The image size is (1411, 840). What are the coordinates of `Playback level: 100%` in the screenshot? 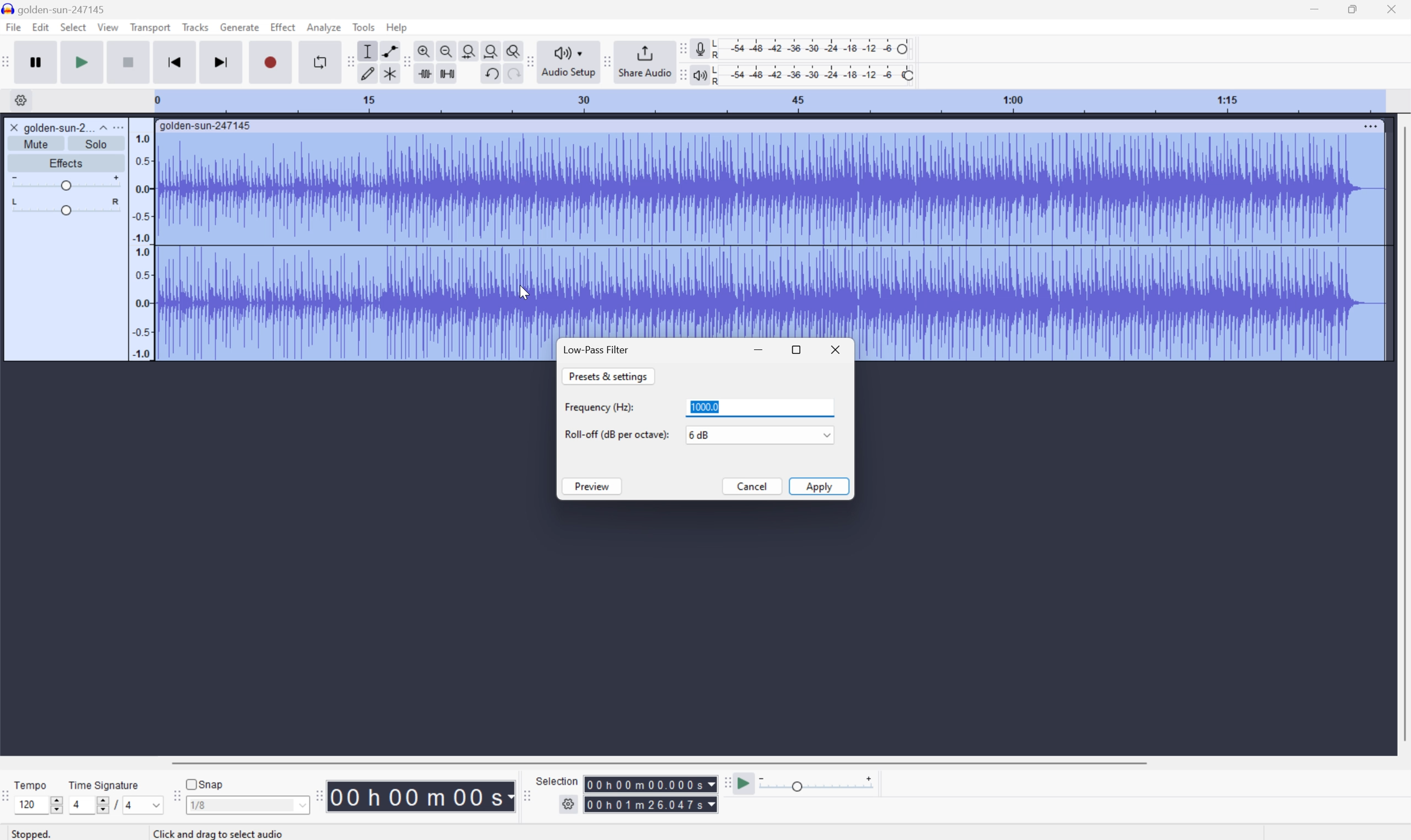 It's located at (812, 74).